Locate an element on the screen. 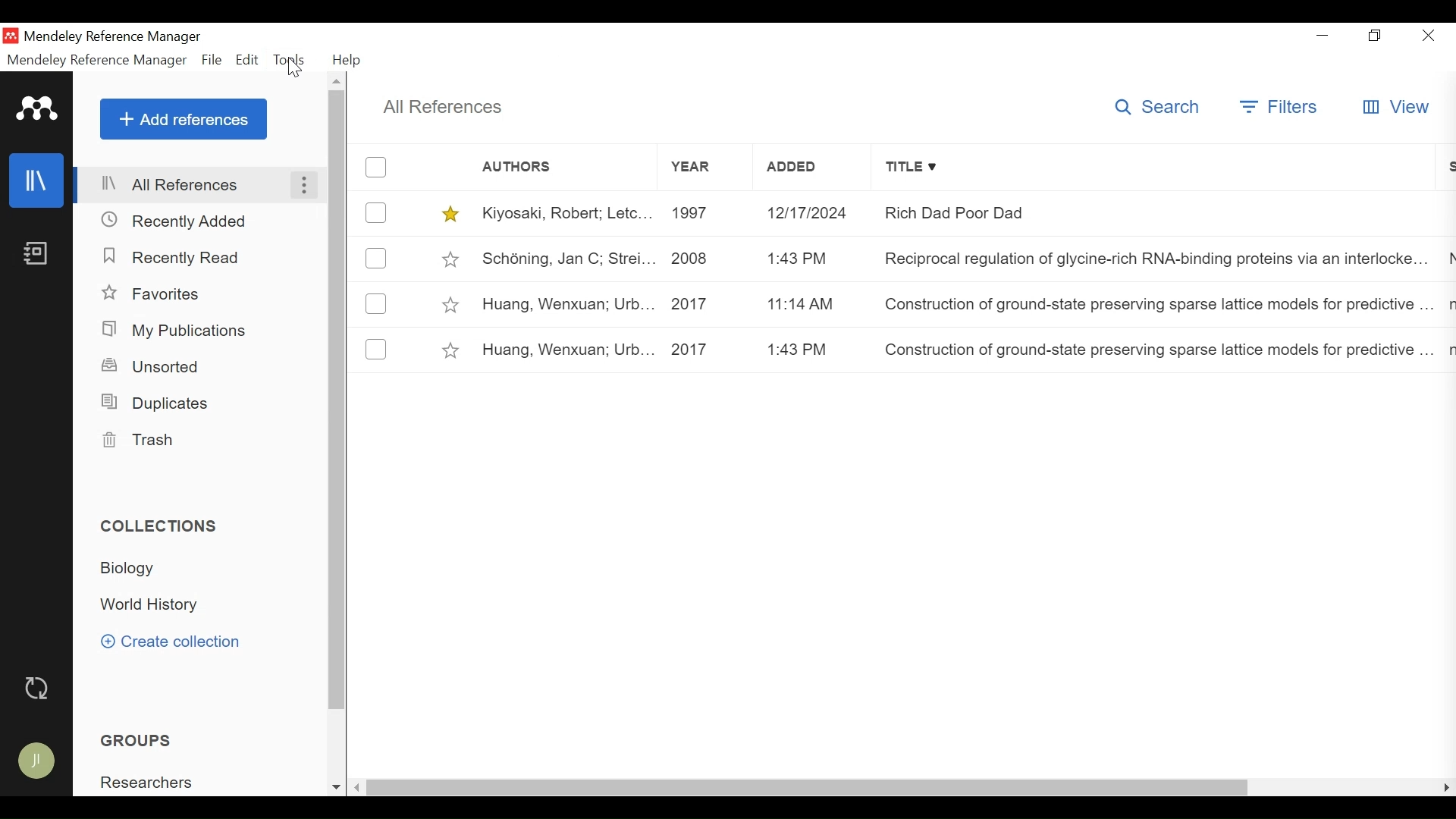 This screenshot has width=1456, height=819. Sync is located at coordinates (38, 686).